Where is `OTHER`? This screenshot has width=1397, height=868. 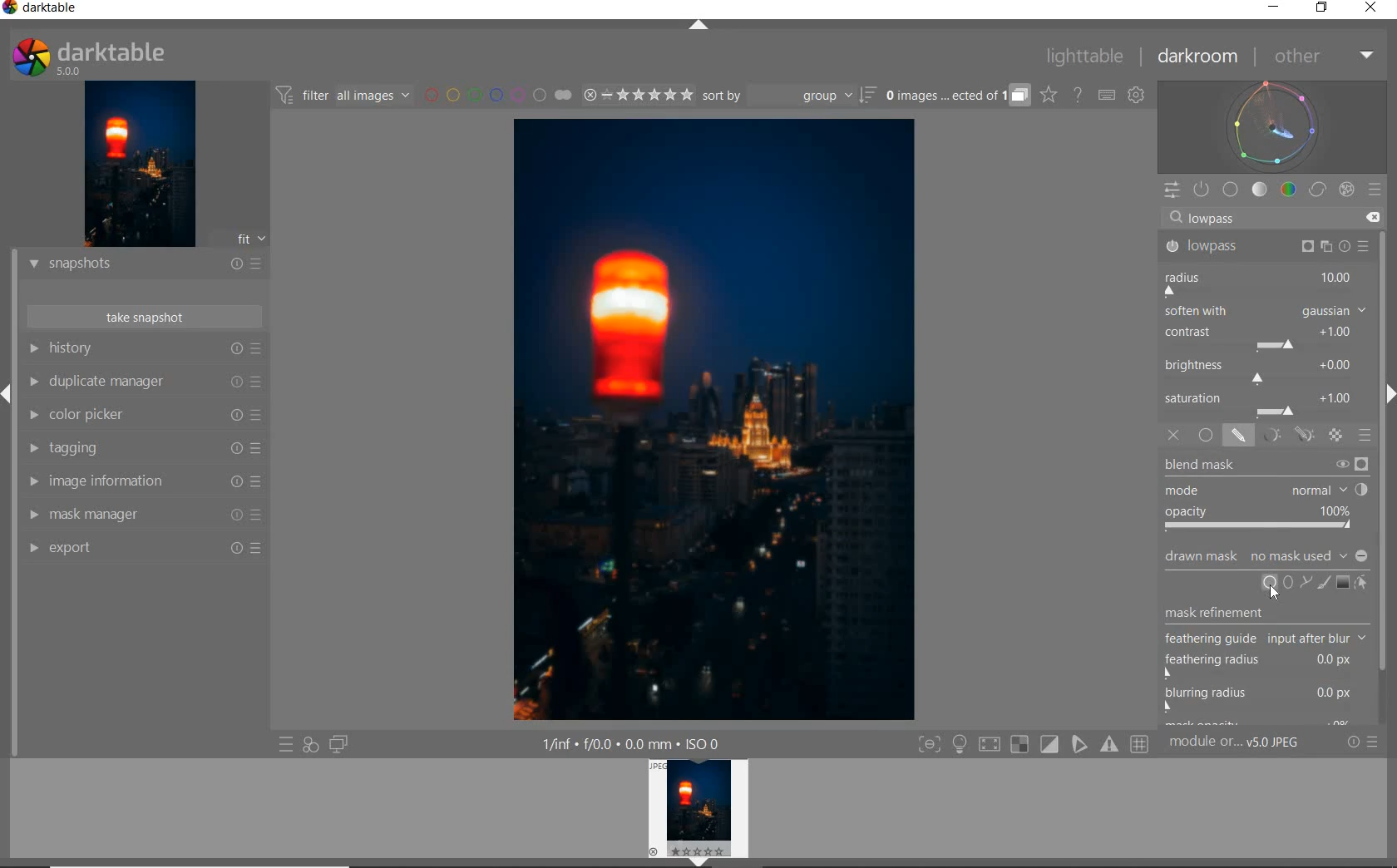 OTHER is located at coordinates (1323, 57).